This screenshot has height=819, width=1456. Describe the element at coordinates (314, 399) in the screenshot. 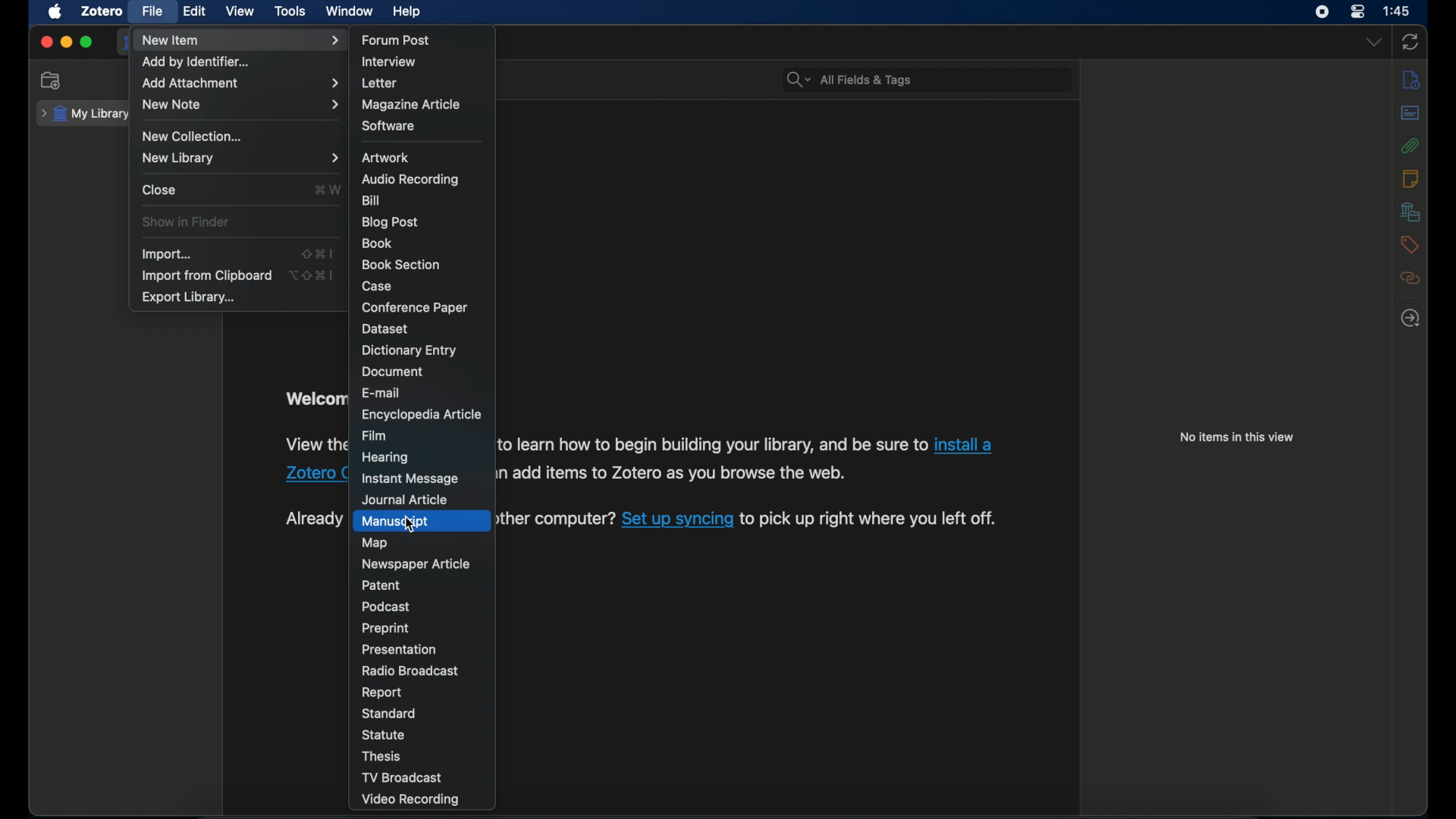

I see `welcome` at that location.